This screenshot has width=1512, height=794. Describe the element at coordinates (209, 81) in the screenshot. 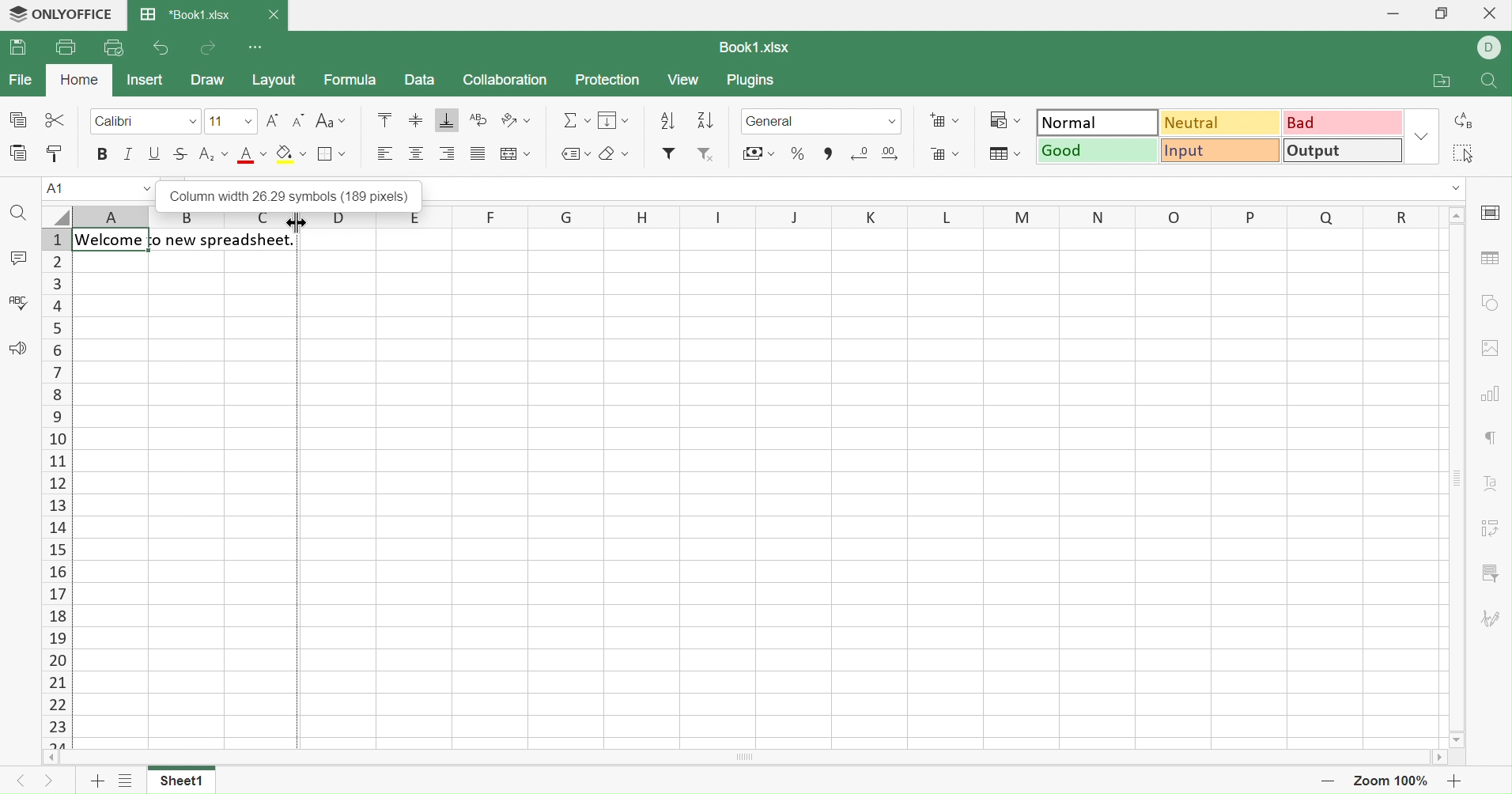

I see `Draw` at that location.